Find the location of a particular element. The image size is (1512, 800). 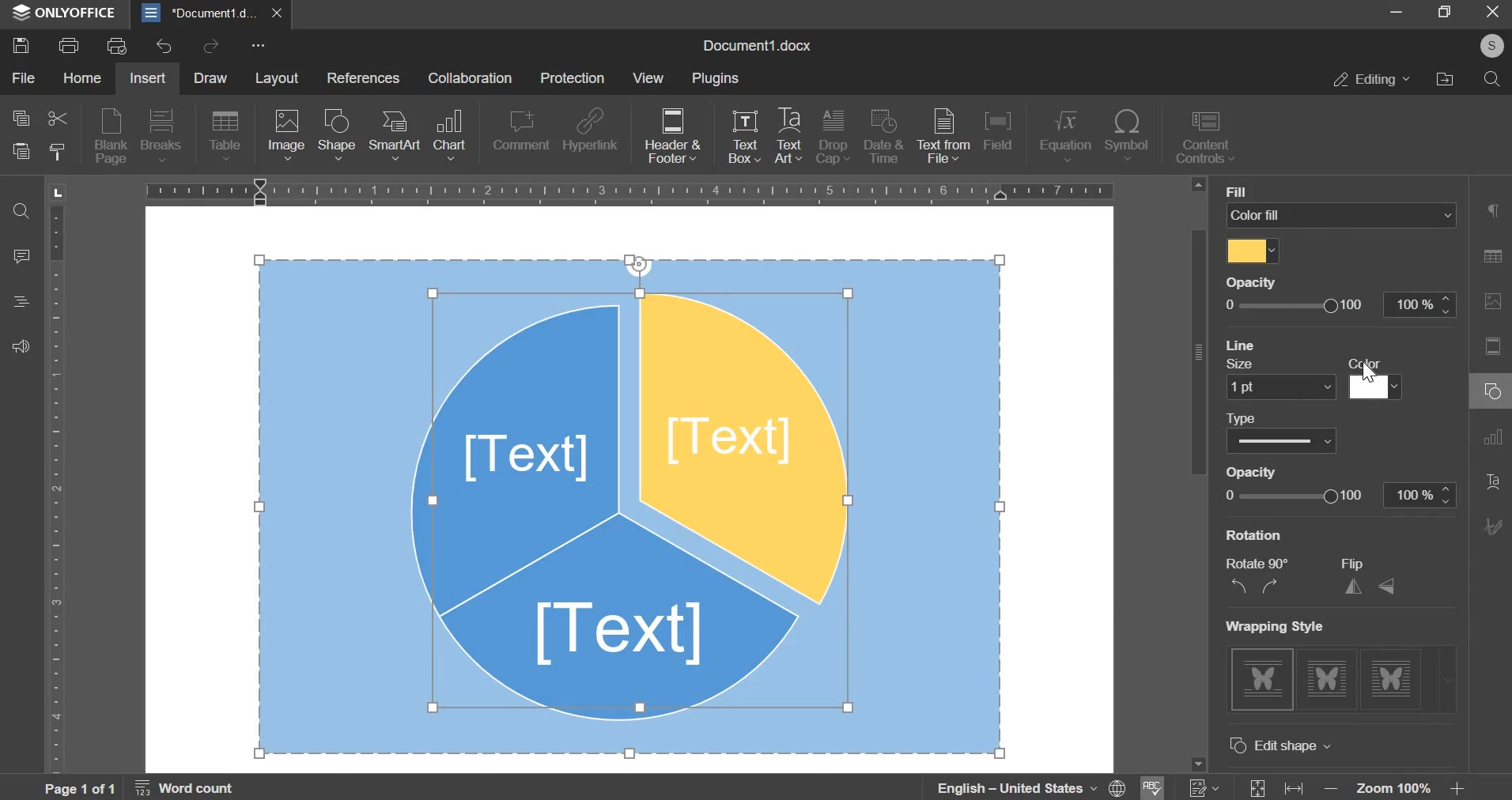

view is located at coordinates (652, 80).